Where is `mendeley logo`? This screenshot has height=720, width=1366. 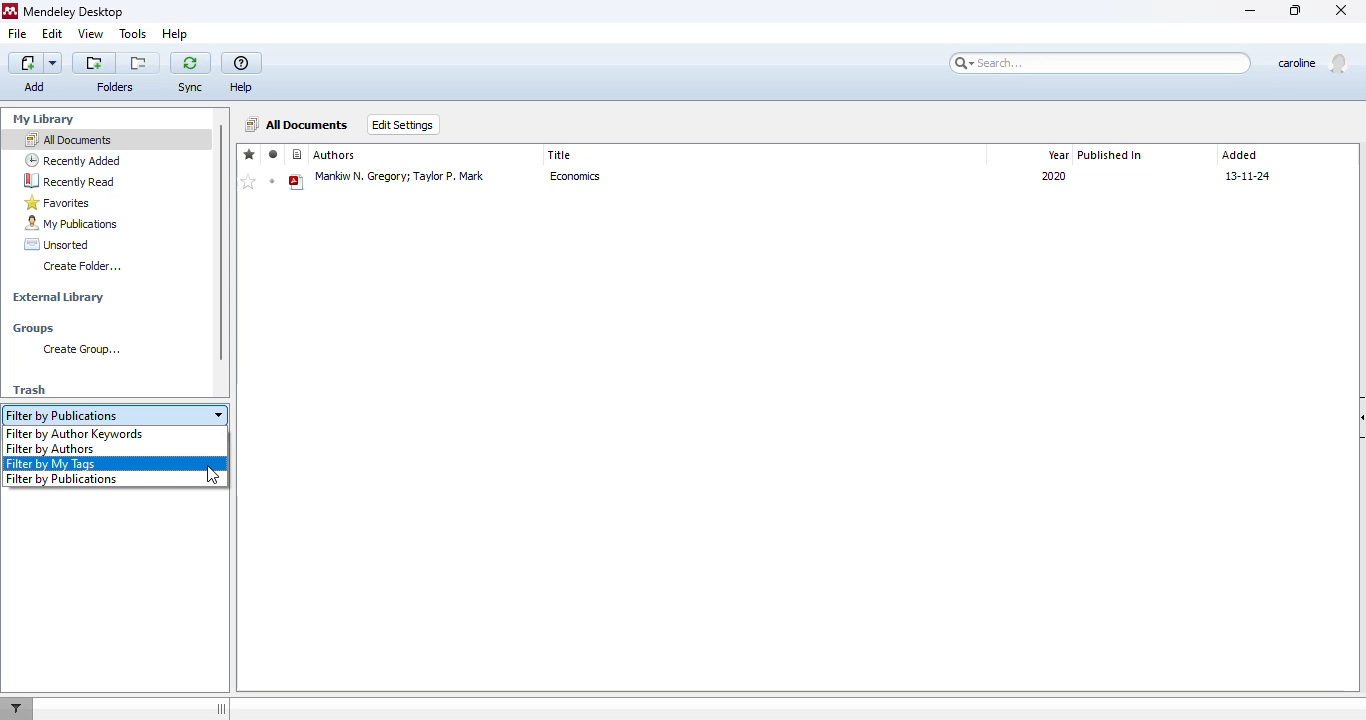 mendeley logo is located at coordinates (10, 11).